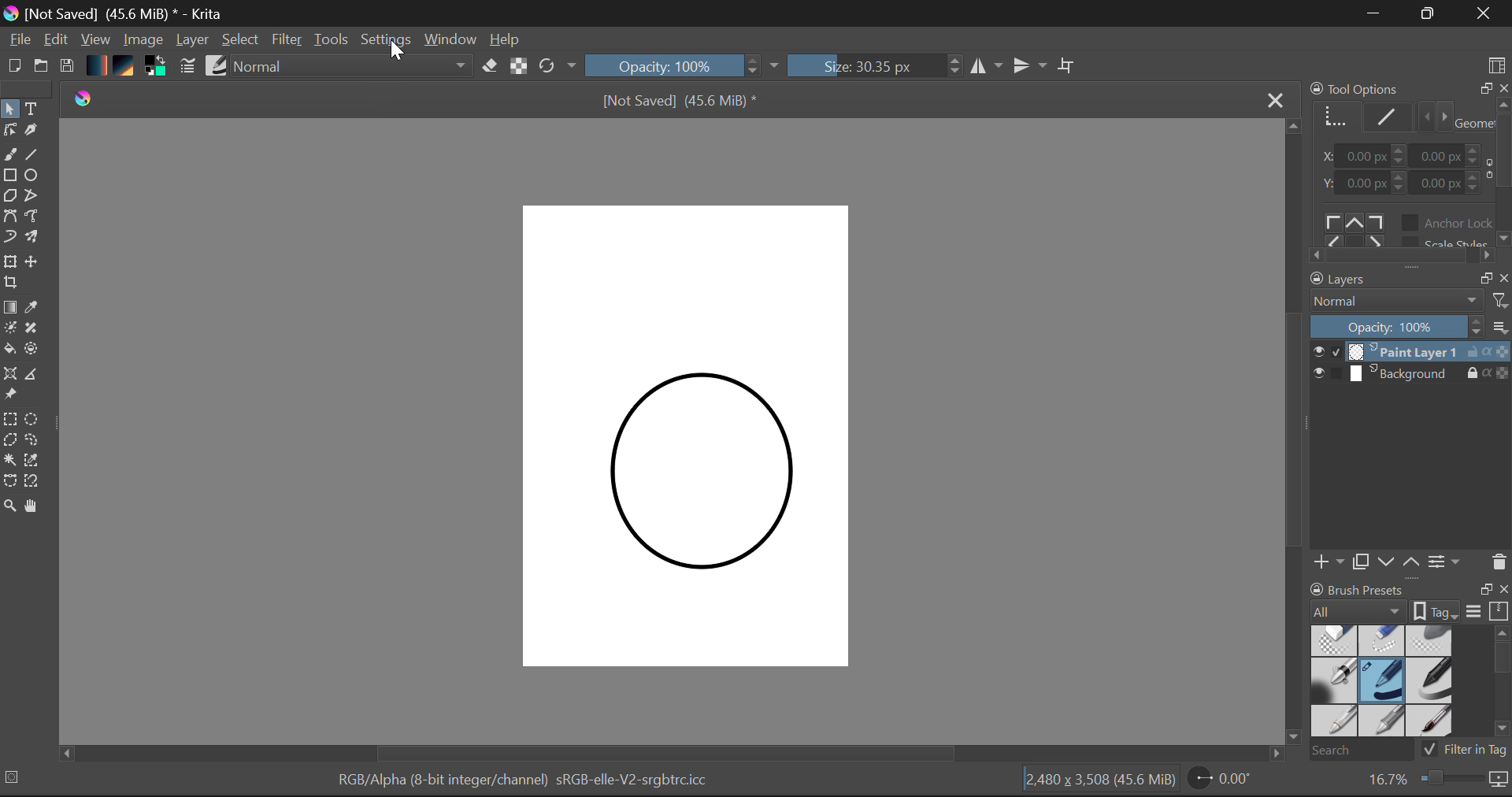 Image resolution: width=1512 pixels, height=797 pixels. What do you see at coordinates (18, 39) in the screenshot?
I see `File` at bounding box center [18, 39].